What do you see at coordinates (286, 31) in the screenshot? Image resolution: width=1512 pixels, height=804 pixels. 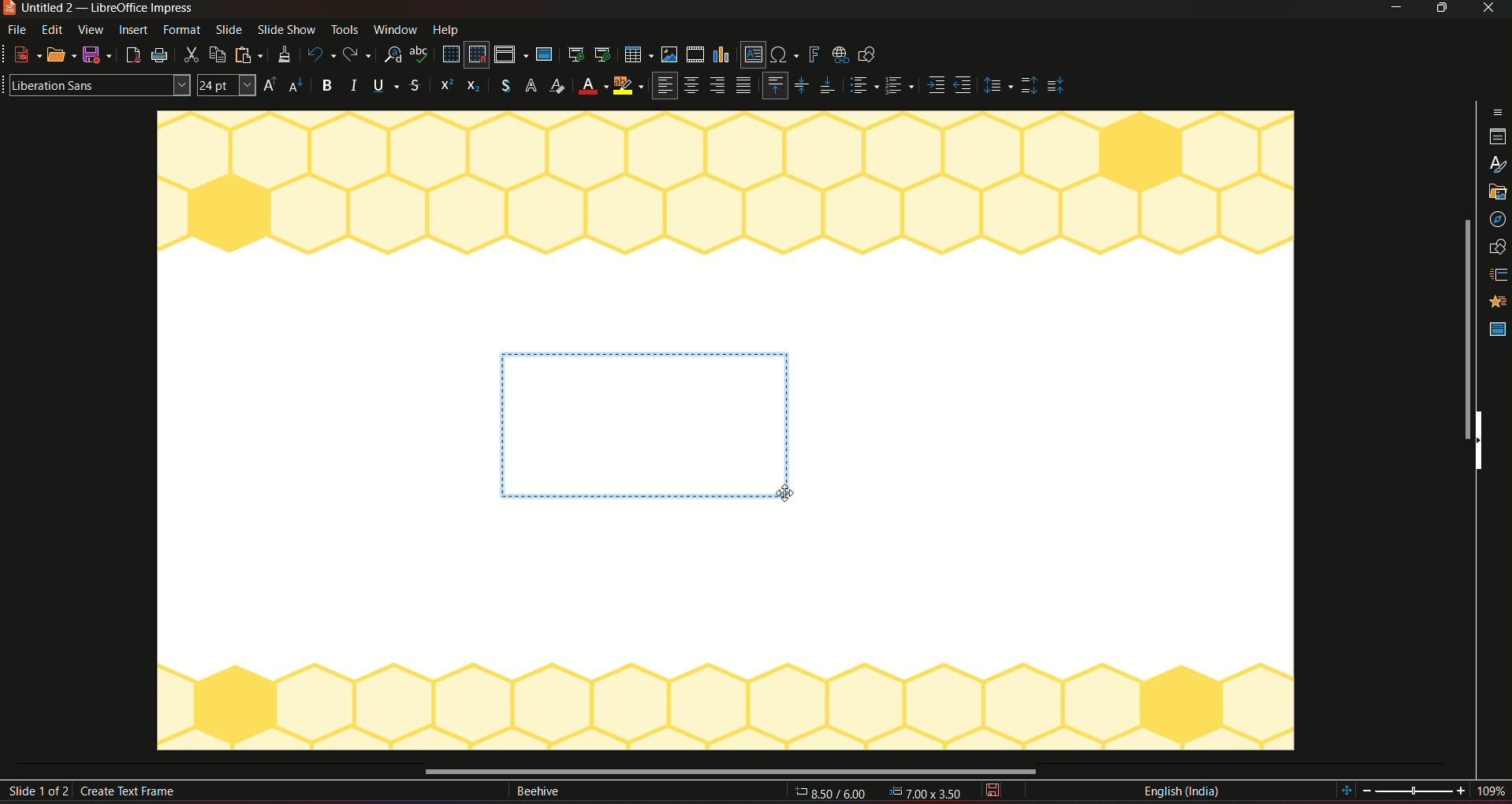 I see `slideshow` at bounding box center [286, 31].